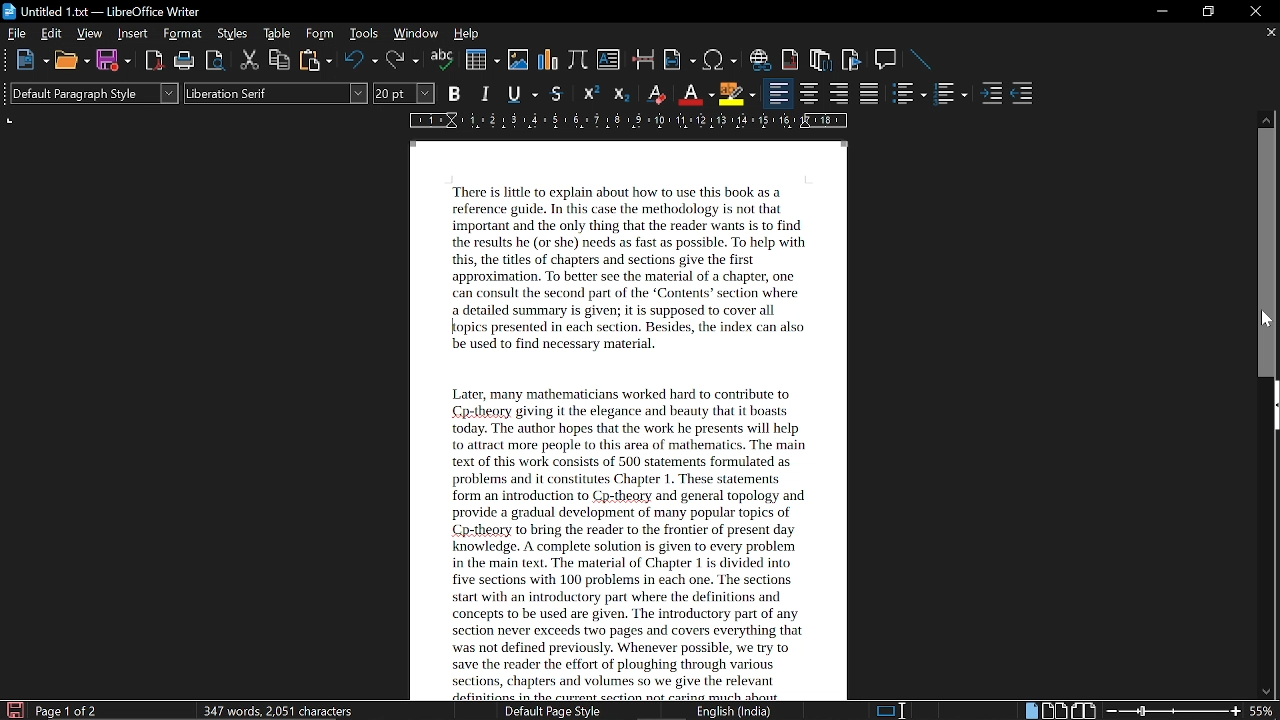 The image size is (1280, 720). Describe the element at coordinates (719, 61) in the screenshot. I see `insert symbol` at that location.